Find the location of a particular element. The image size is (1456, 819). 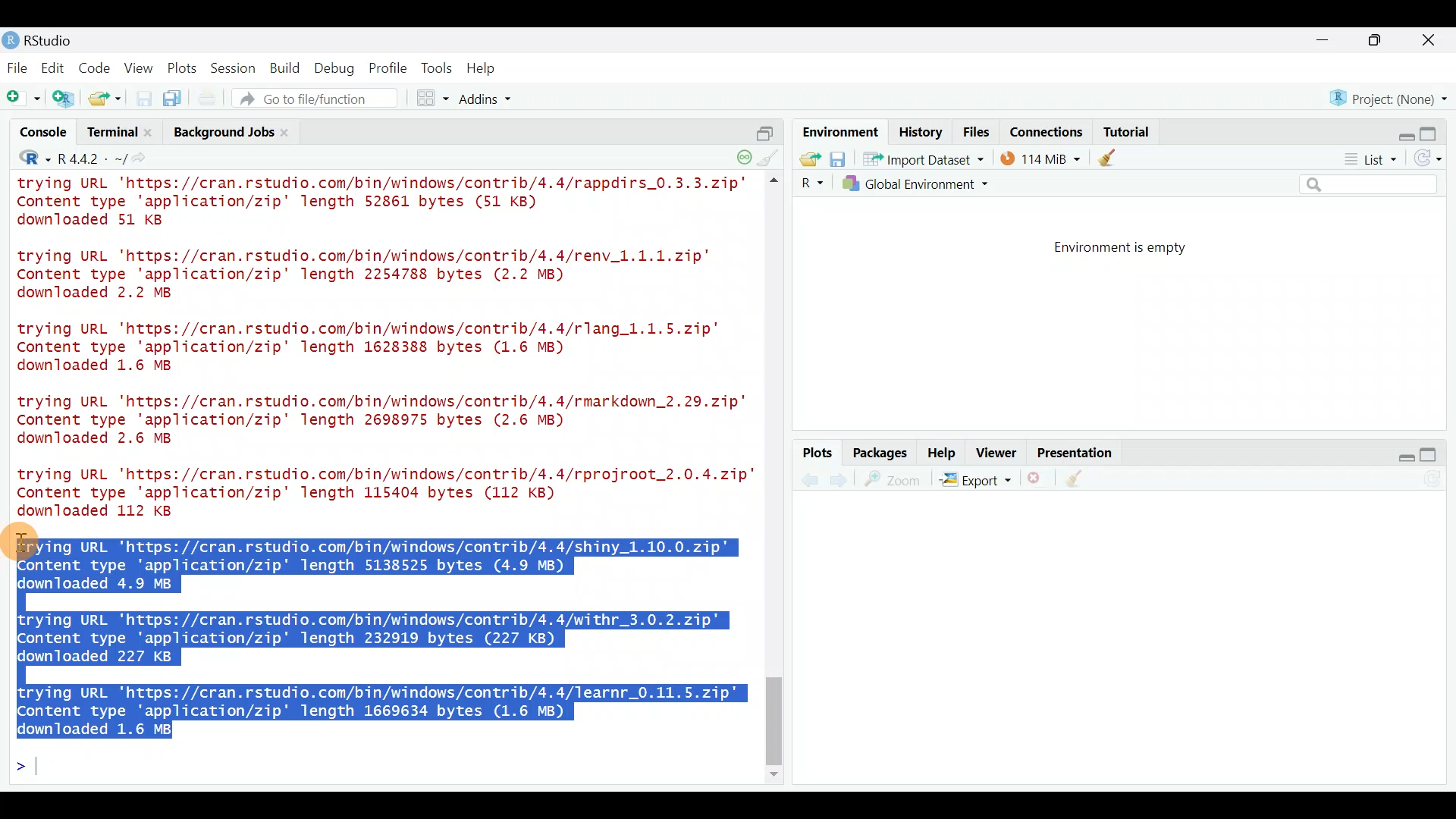

Cursor is located at coordinates (26, 541).